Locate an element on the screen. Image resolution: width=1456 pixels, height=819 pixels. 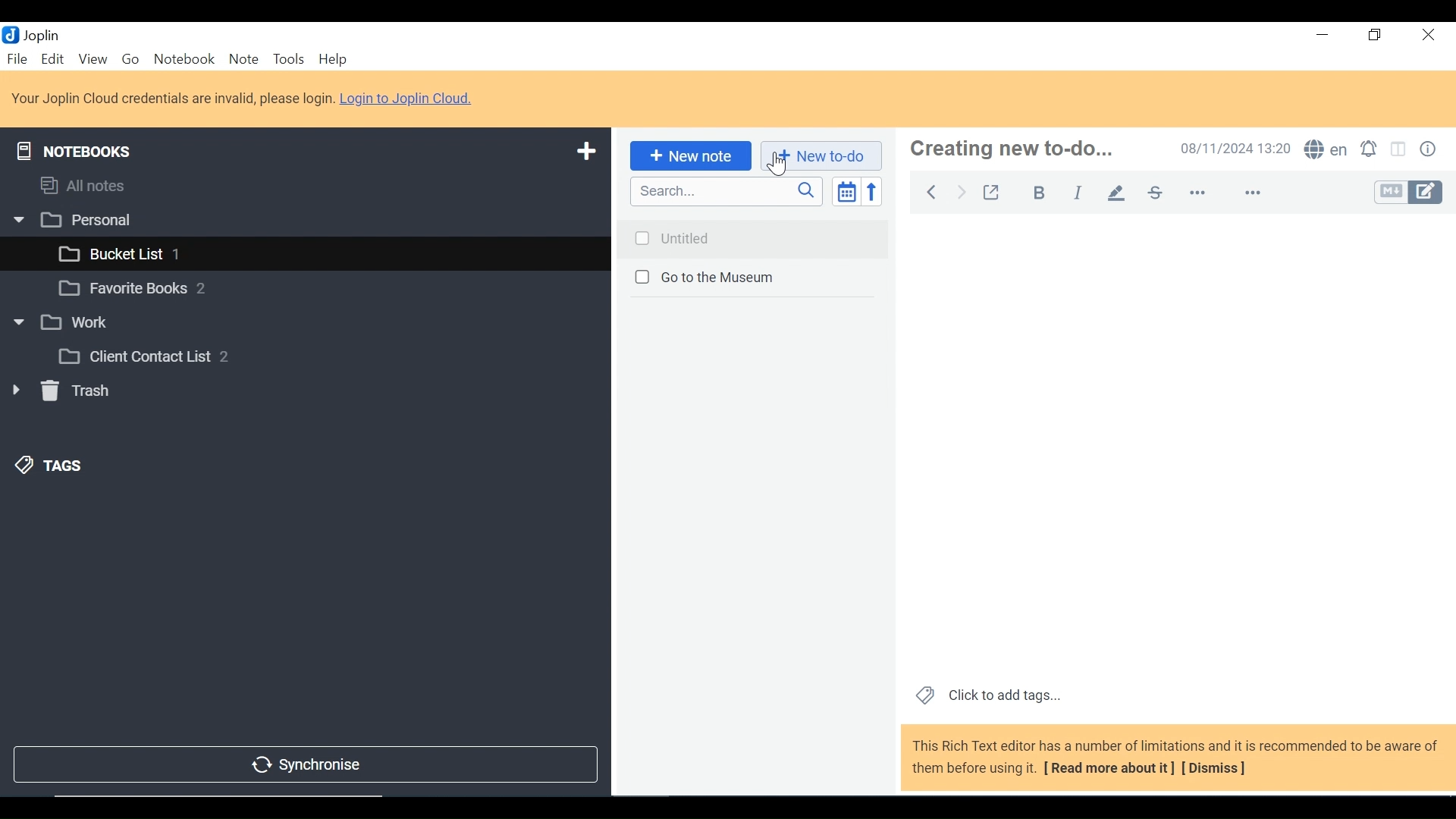
Edit is located at coordinates (53, 60).